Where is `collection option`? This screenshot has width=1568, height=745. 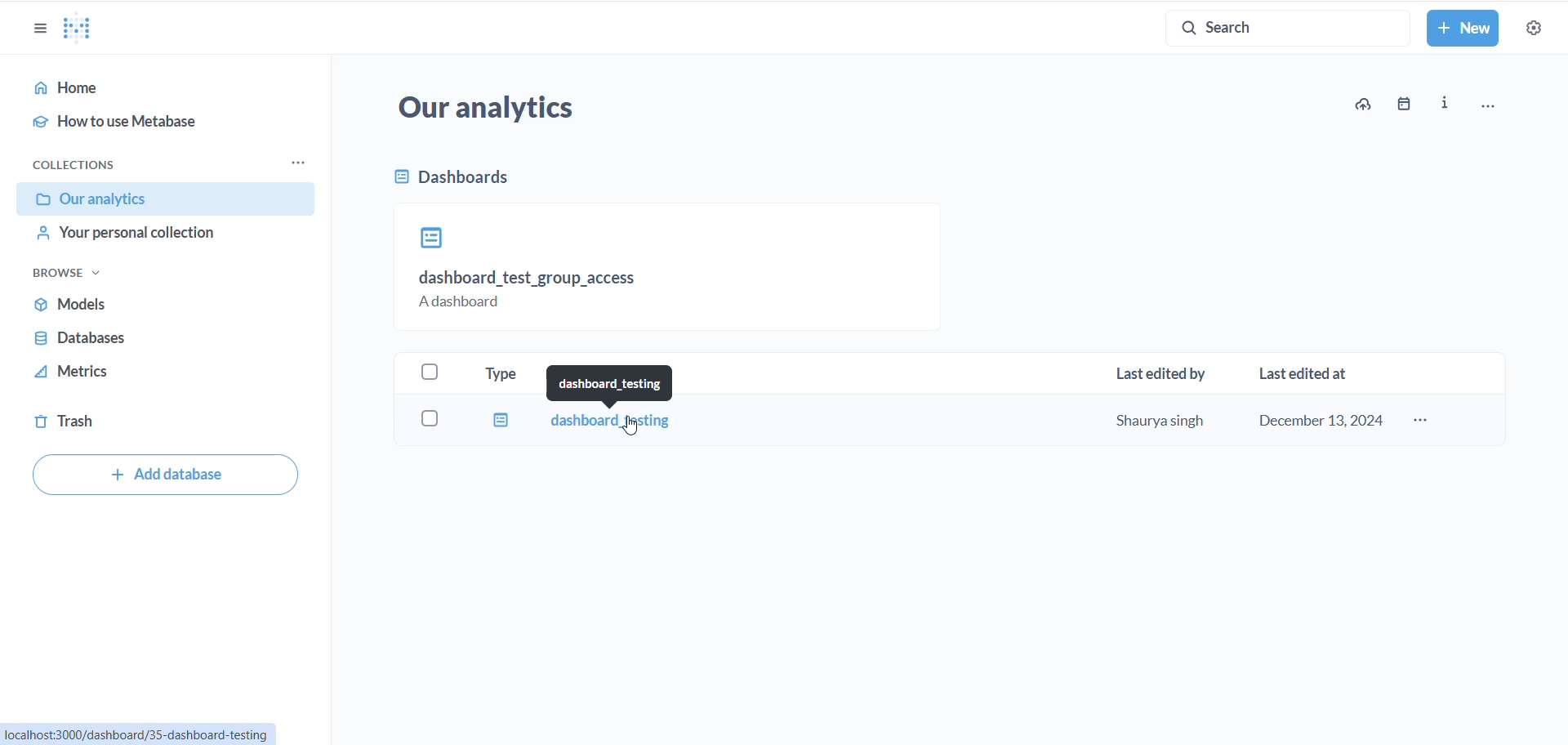 collection option is located at coordinates (296, 163).